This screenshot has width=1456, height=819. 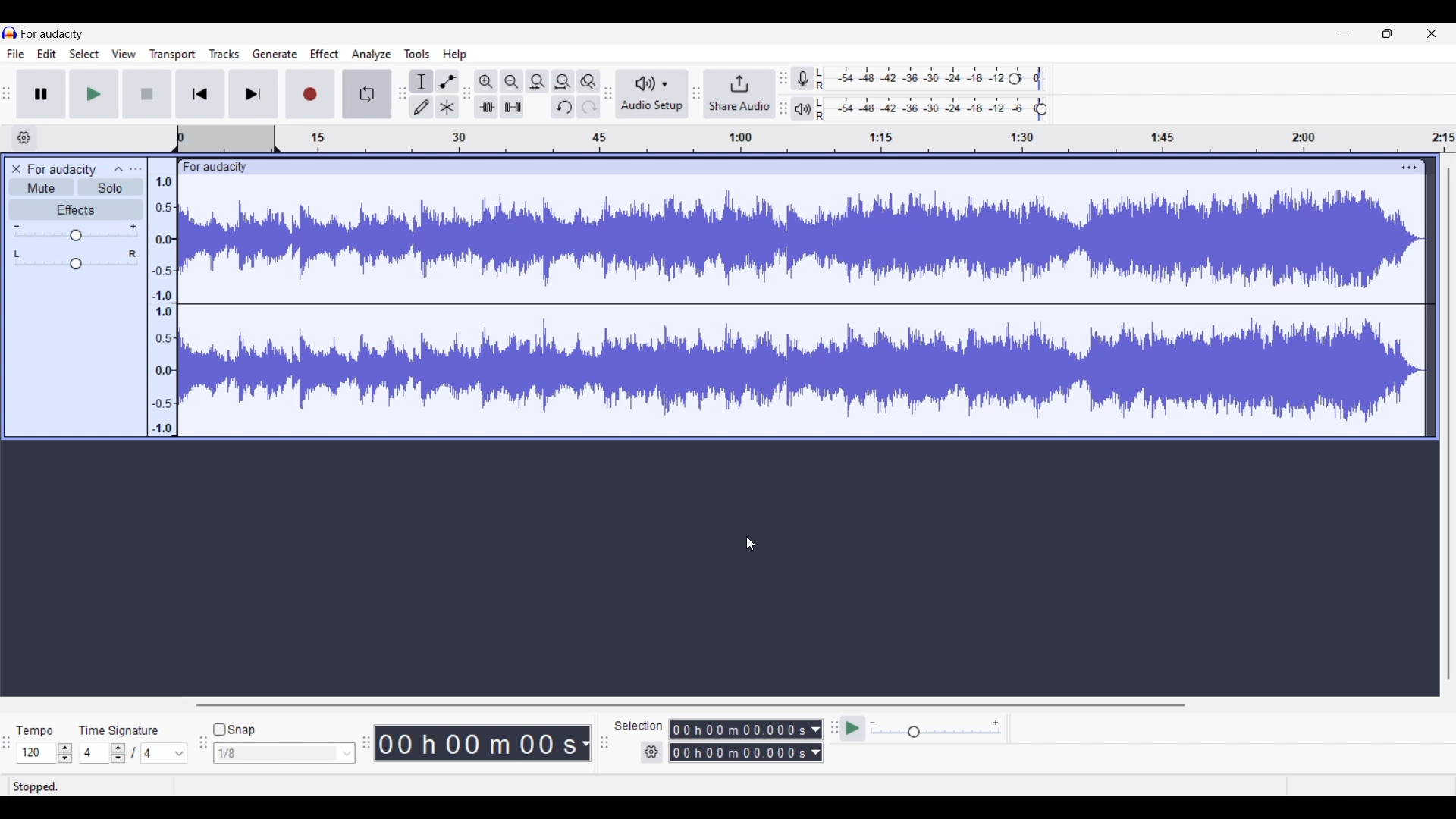 I want to click on Snap options, so click(x=347, y=753).